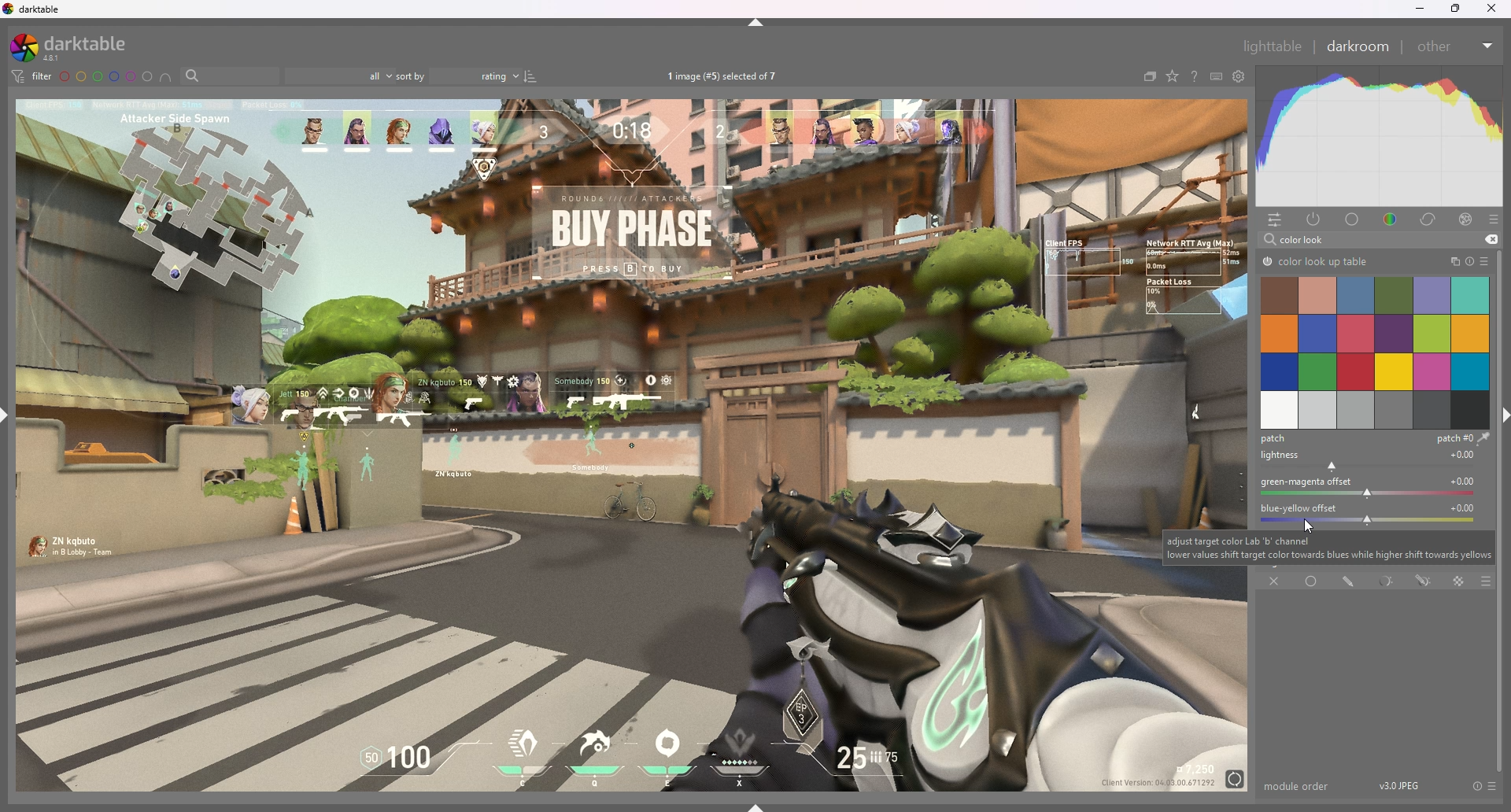 The height and width of the screenshot is (812, 1511). What do you see at coordinates (1373, 438) in the screenshot?
I see `patch` at bounding box center [1373, 438].